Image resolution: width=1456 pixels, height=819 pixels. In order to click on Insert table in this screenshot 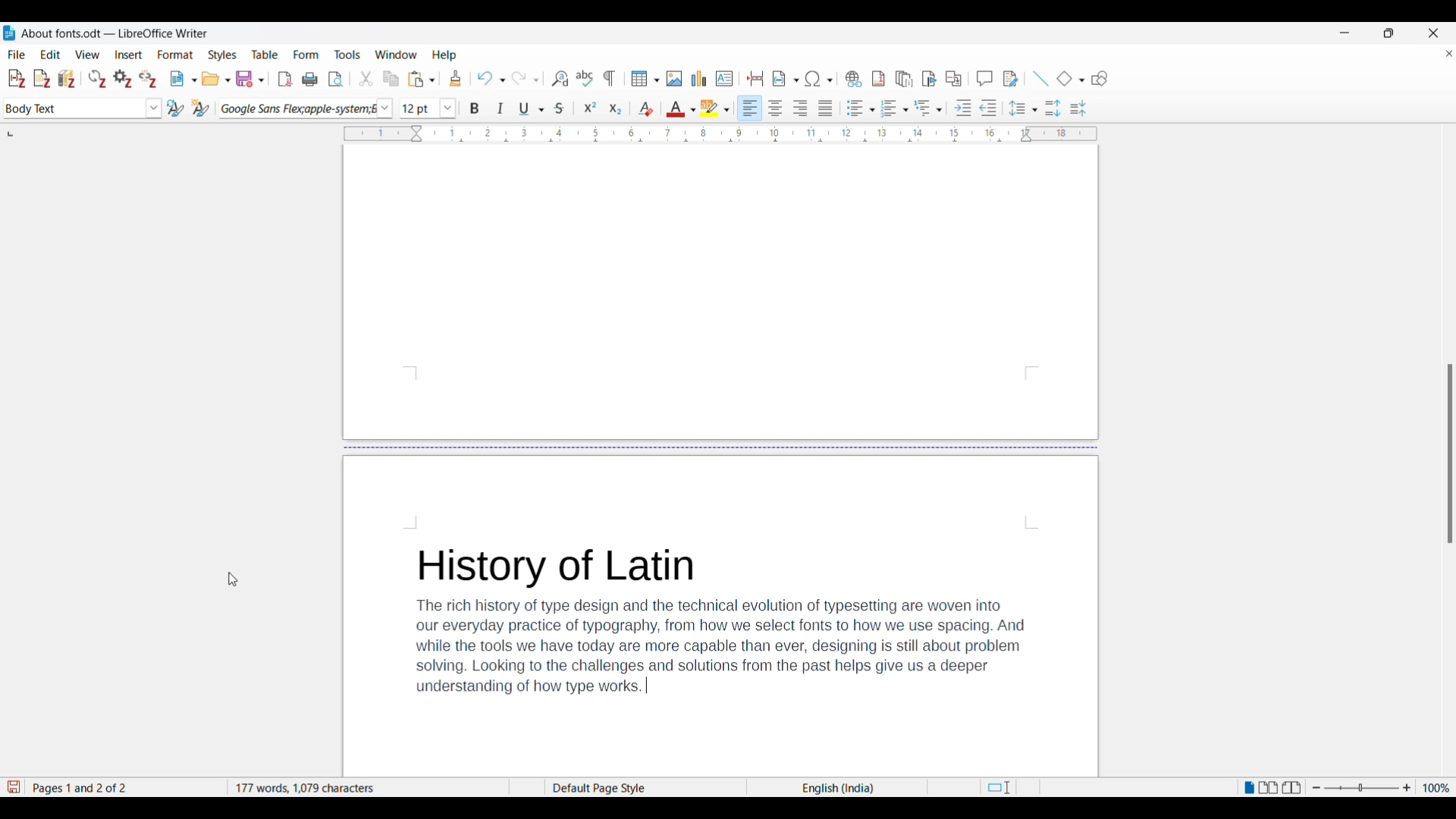, I will do `click(645, 79)`.